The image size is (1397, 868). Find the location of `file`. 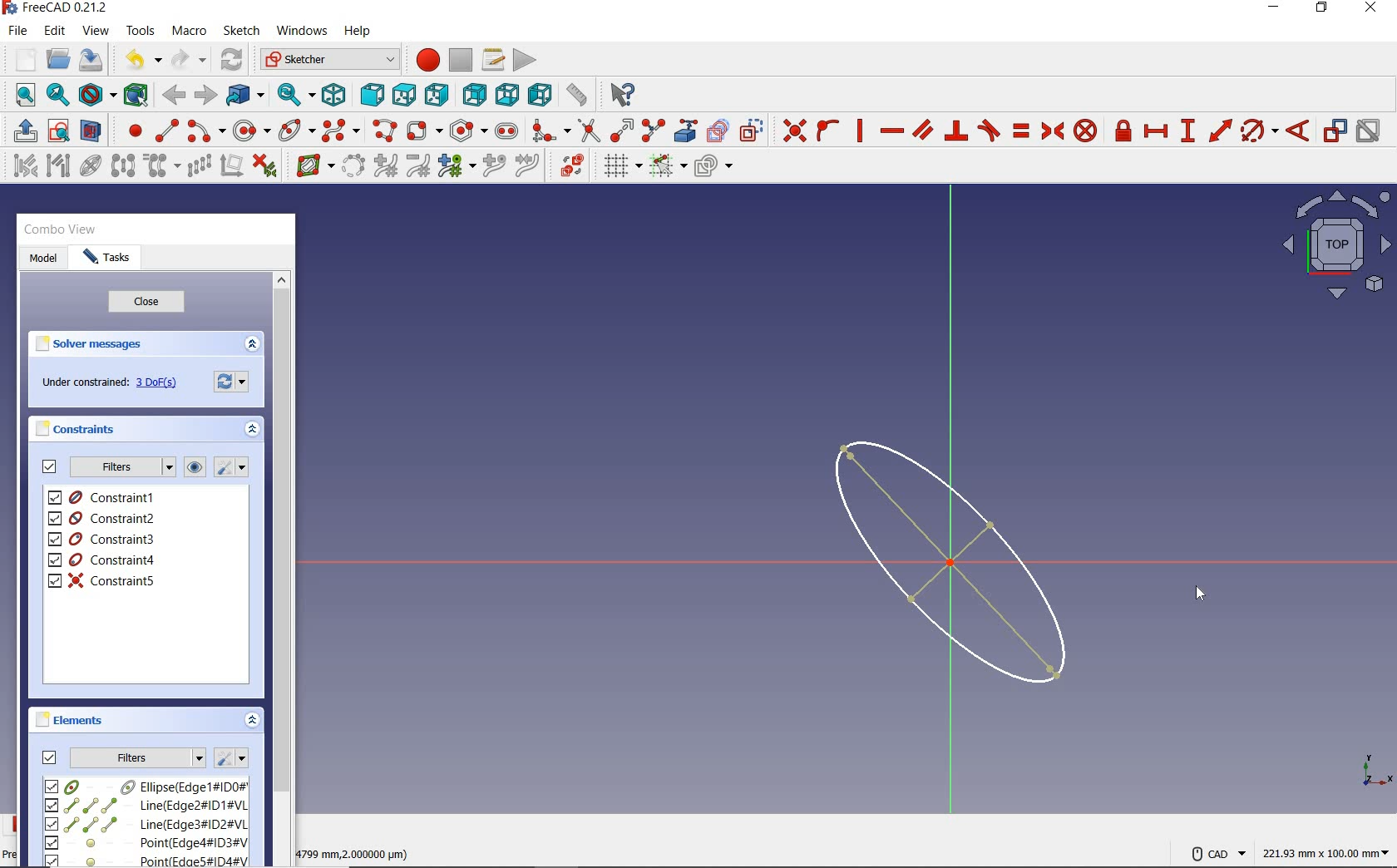

file is located at coordinates (17, 31).